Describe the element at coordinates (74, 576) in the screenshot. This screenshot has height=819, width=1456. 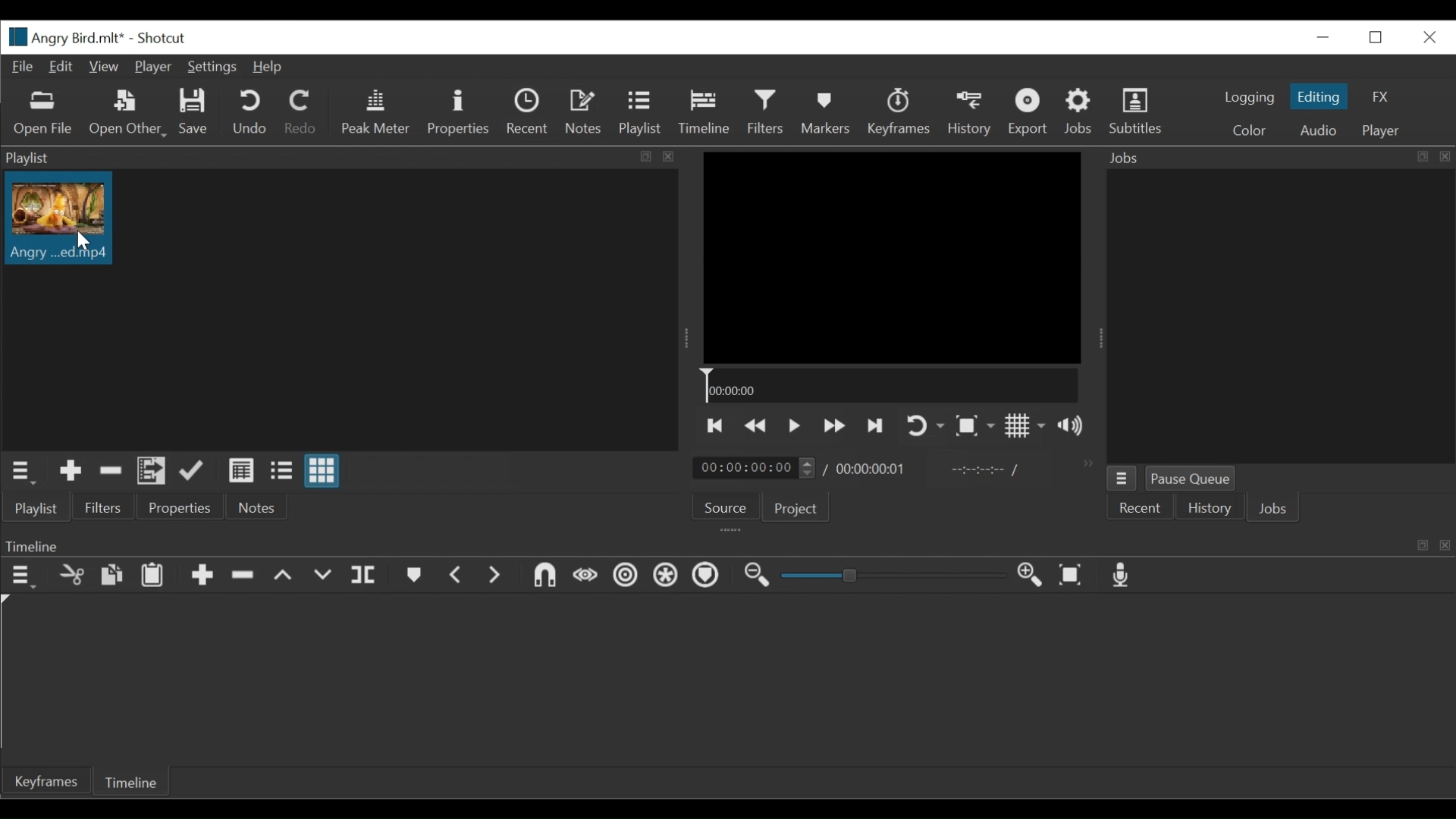
I see `cut` at that location.